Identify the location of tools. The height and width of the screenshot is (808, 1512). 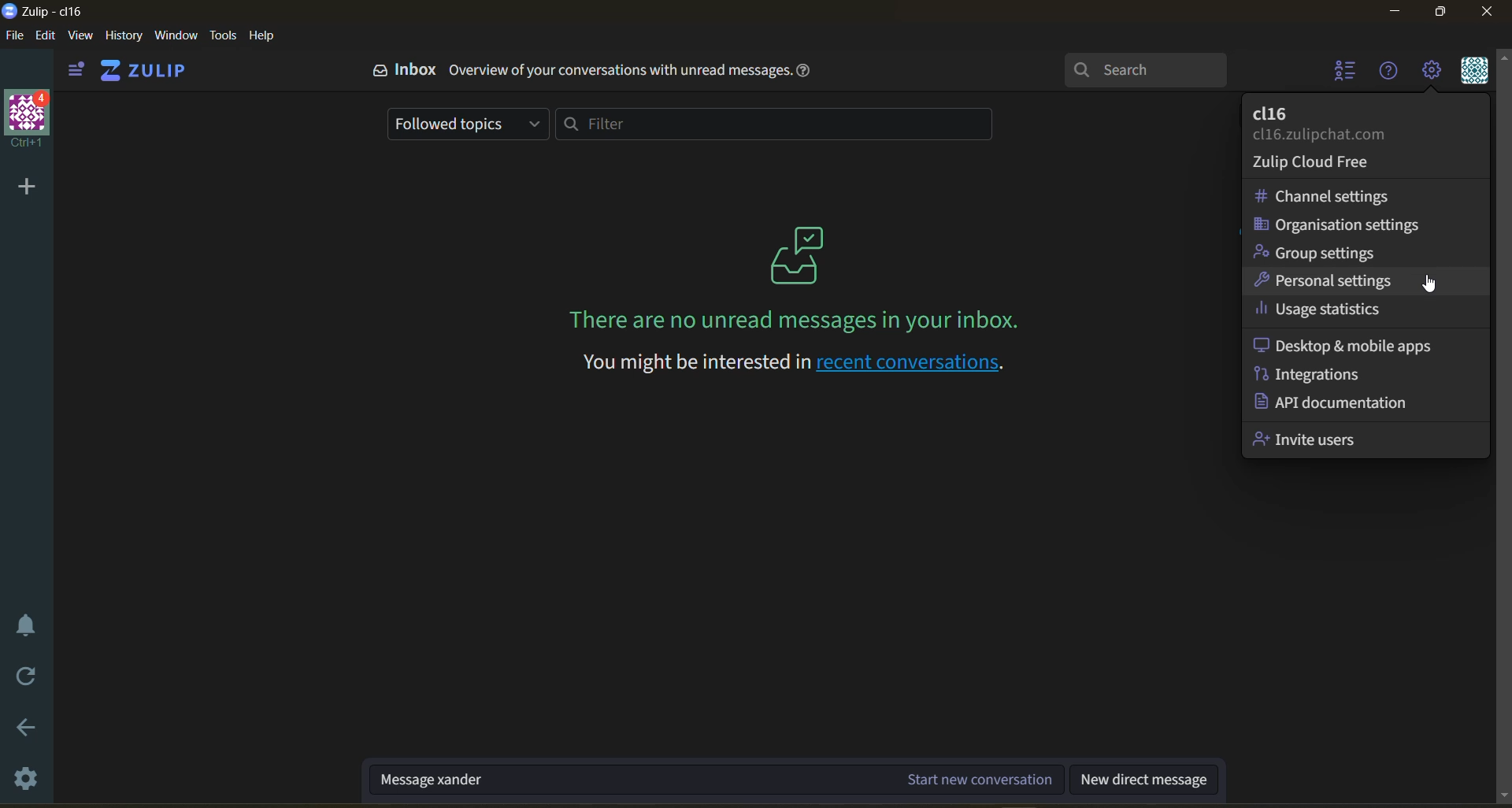
(224, 36).